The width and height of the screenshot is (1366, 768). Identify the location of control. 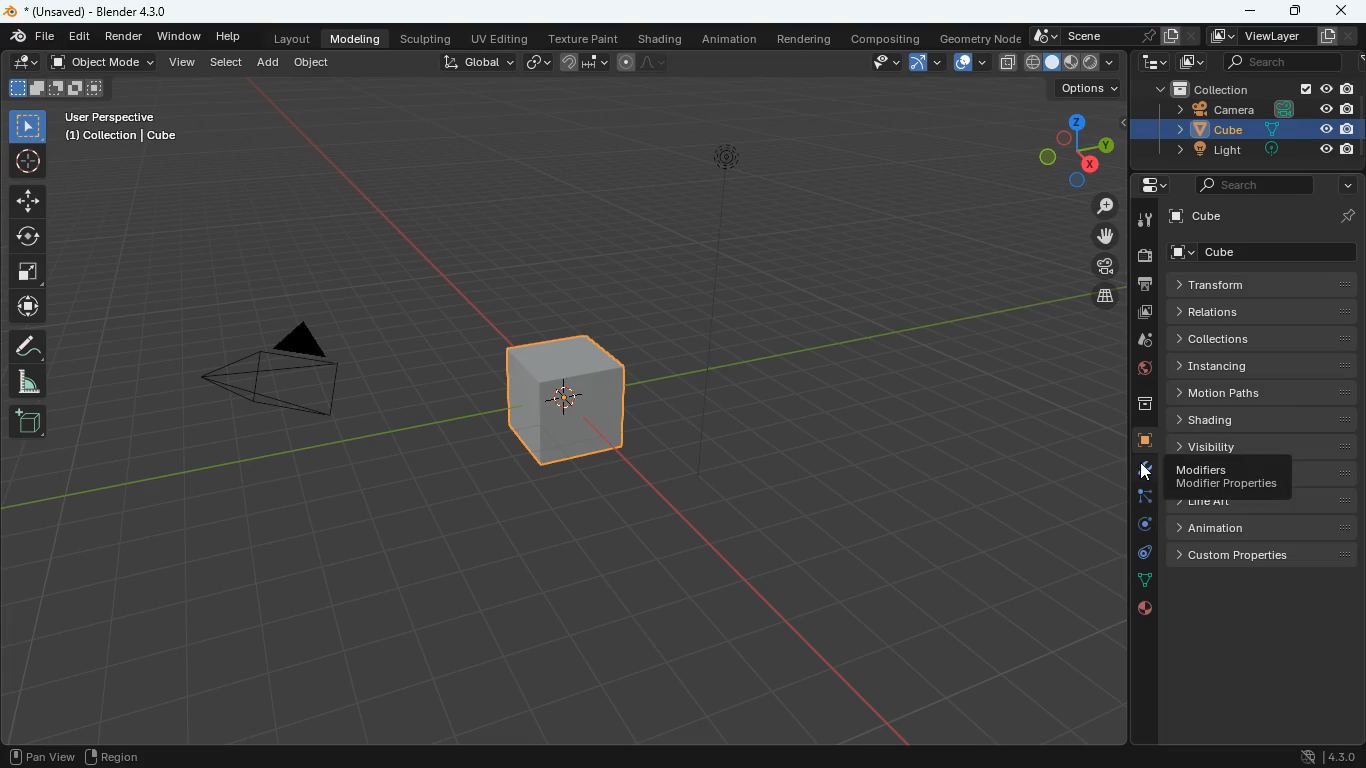
(1141, 555).